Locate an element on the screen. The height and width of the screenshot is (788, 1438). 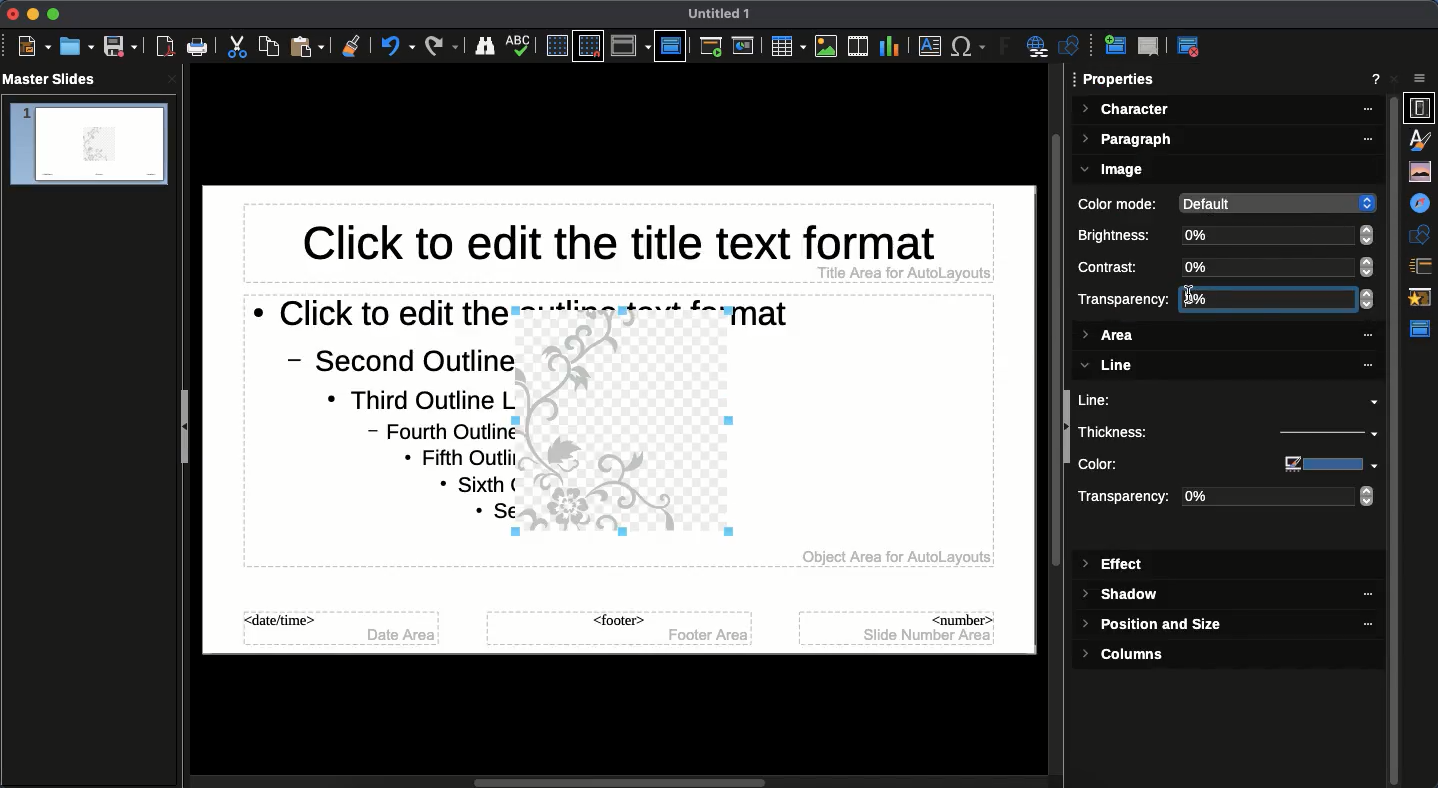
Master slide is located at coordinates (1423, 329).